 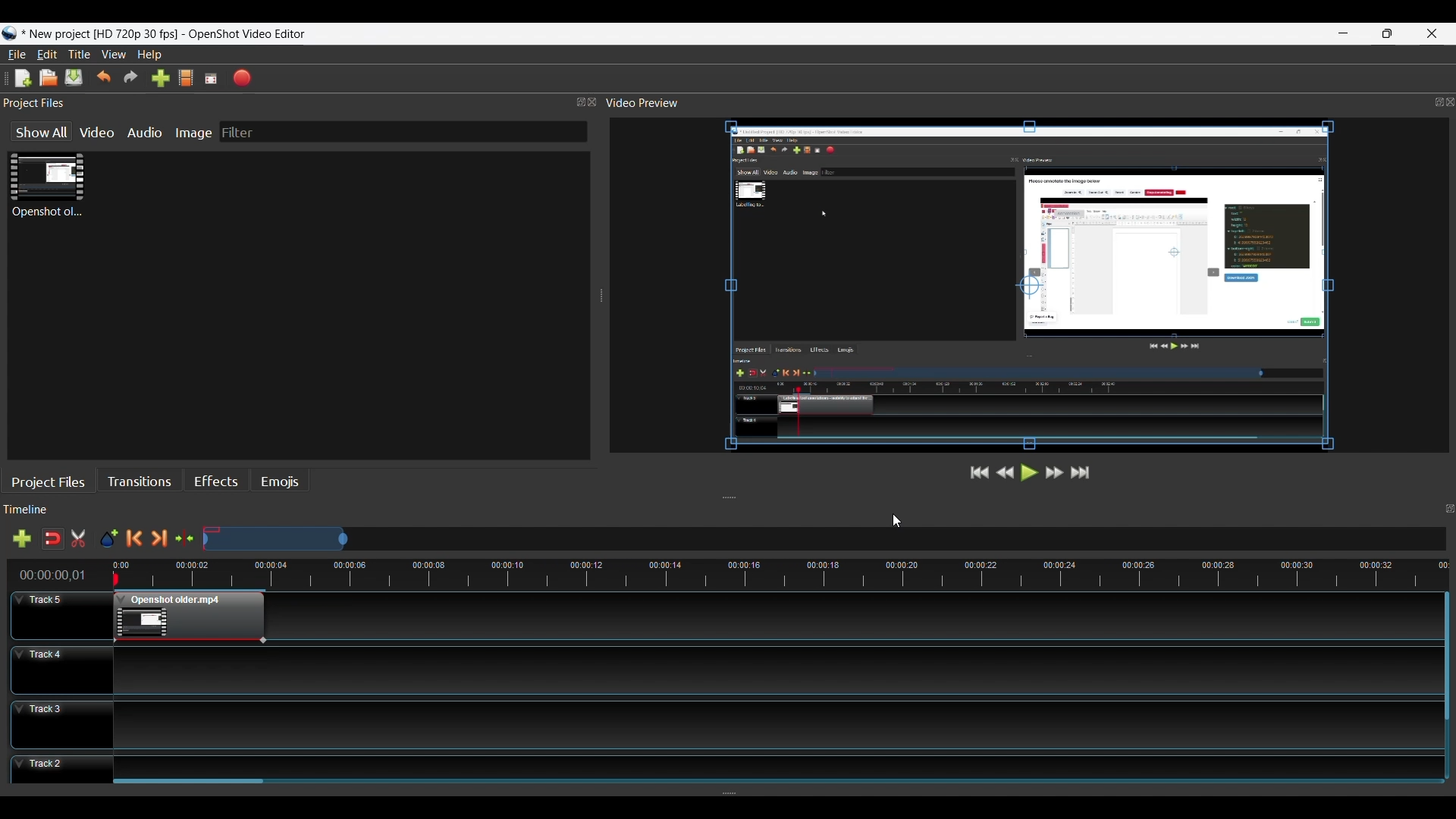 What do you see at coordinates (138, 482) in the screenshot?
I see `Transitions` at bounding box center [138, 482].